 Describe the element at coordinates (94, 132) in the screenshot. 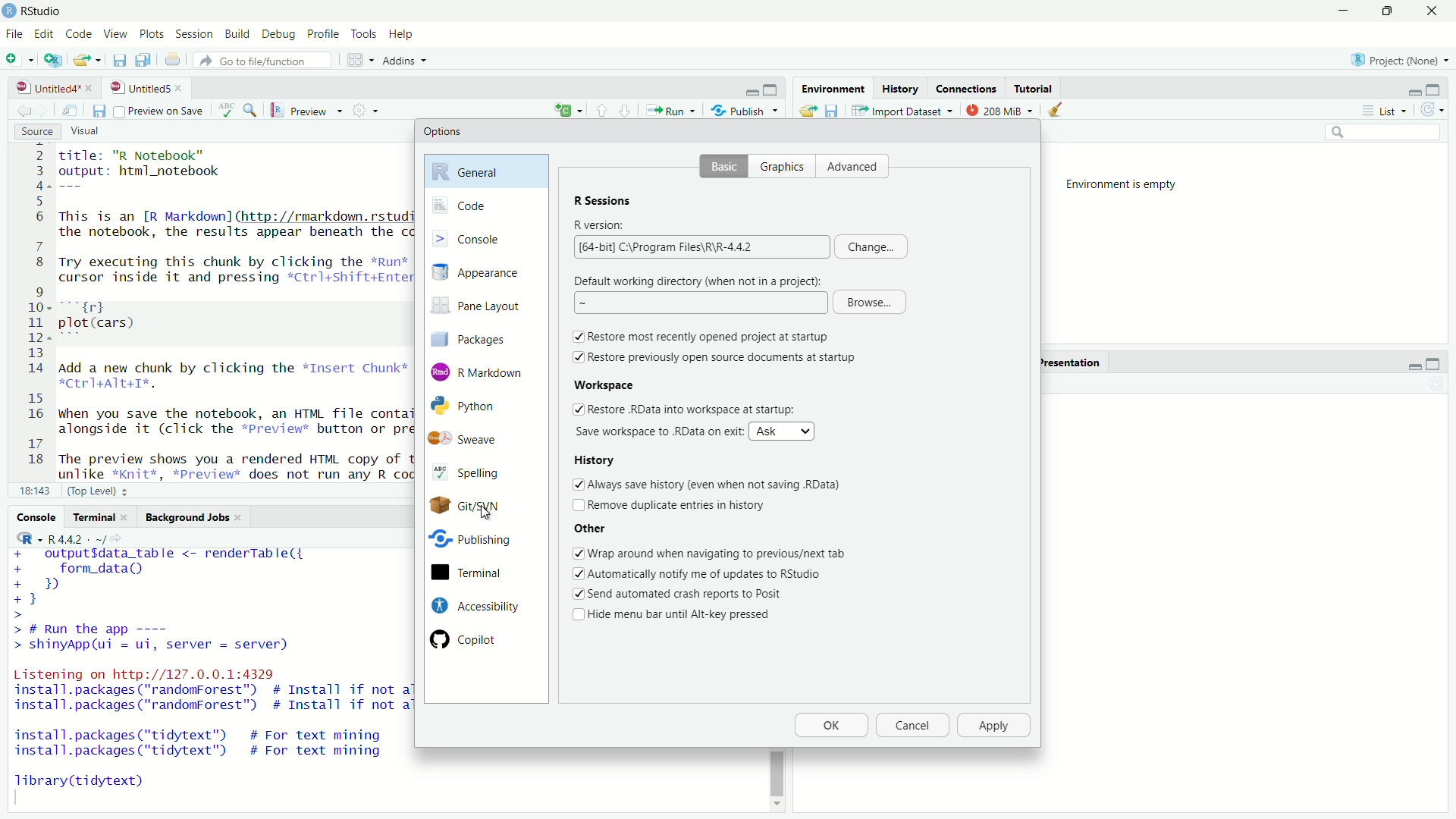

I see `Visual` at that location.